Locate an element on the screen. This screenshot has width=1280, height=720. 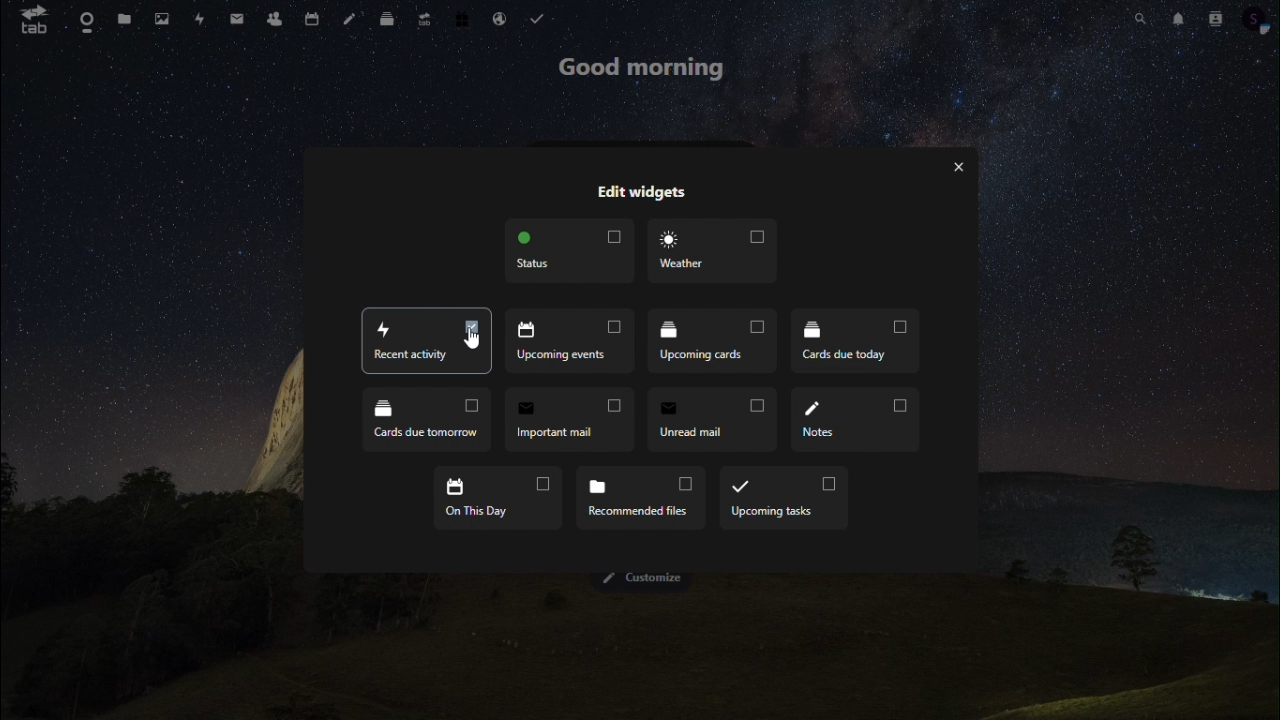
files is located at coordinates (124, 20).